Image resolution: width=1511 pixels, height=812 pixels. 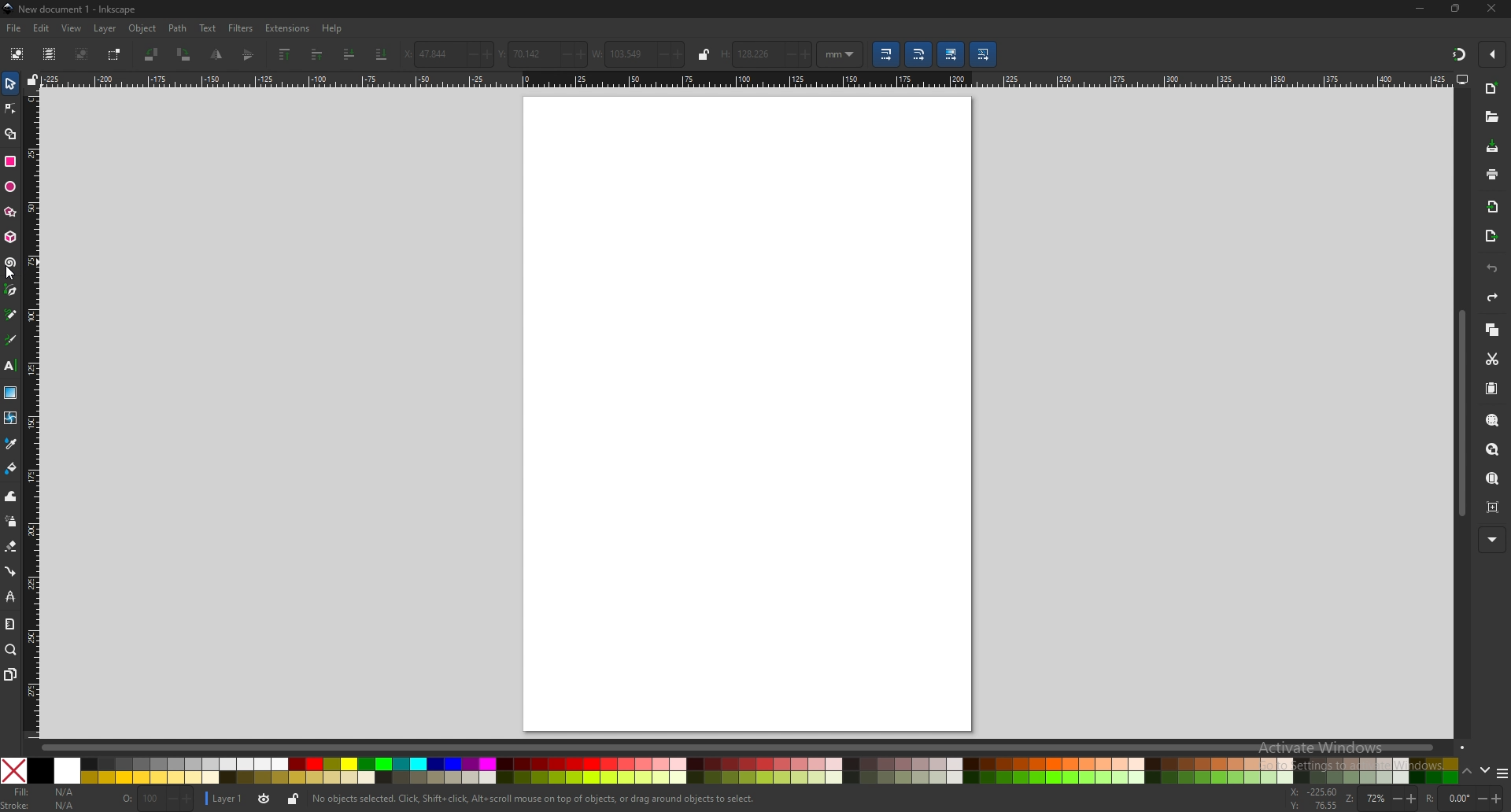 I want to click on O: 100, so click(x=156, y=799).